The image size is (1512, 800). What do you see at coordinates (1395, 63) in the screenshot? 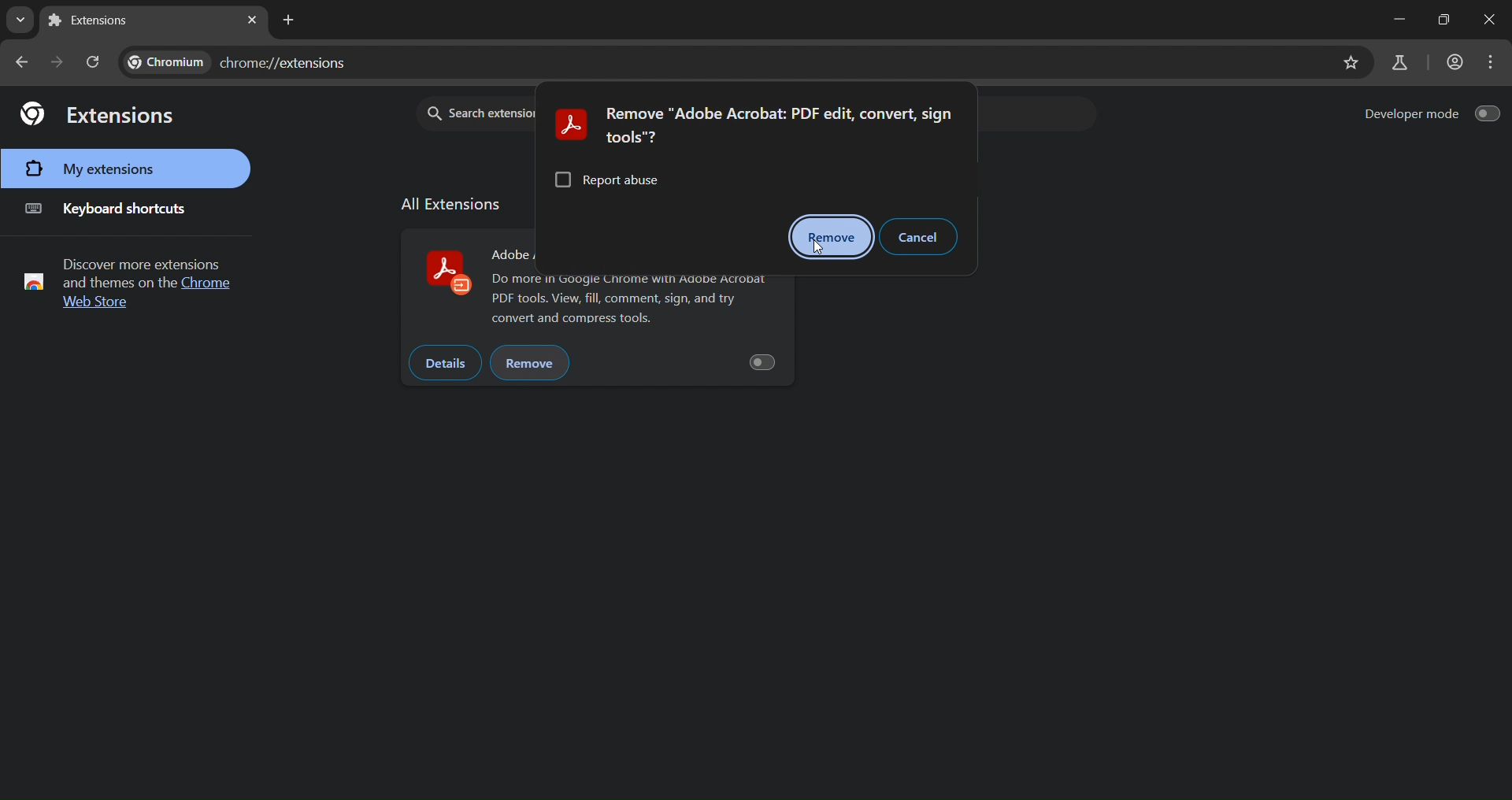
I see `search labs` at bounding box center [1395, 63].